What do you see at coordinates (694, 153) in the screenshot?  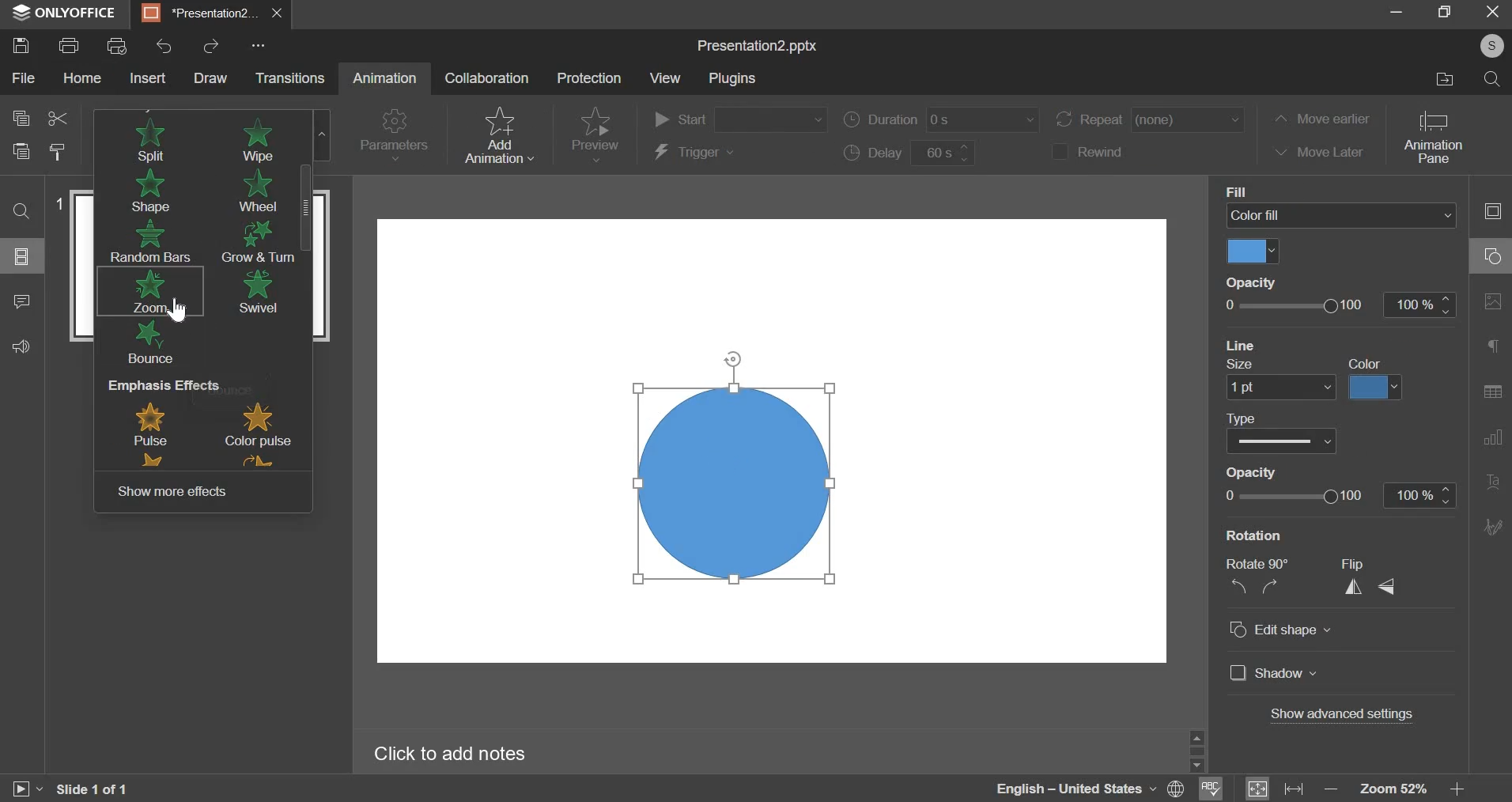 I see `trigger` at bounding box center [694, 153].